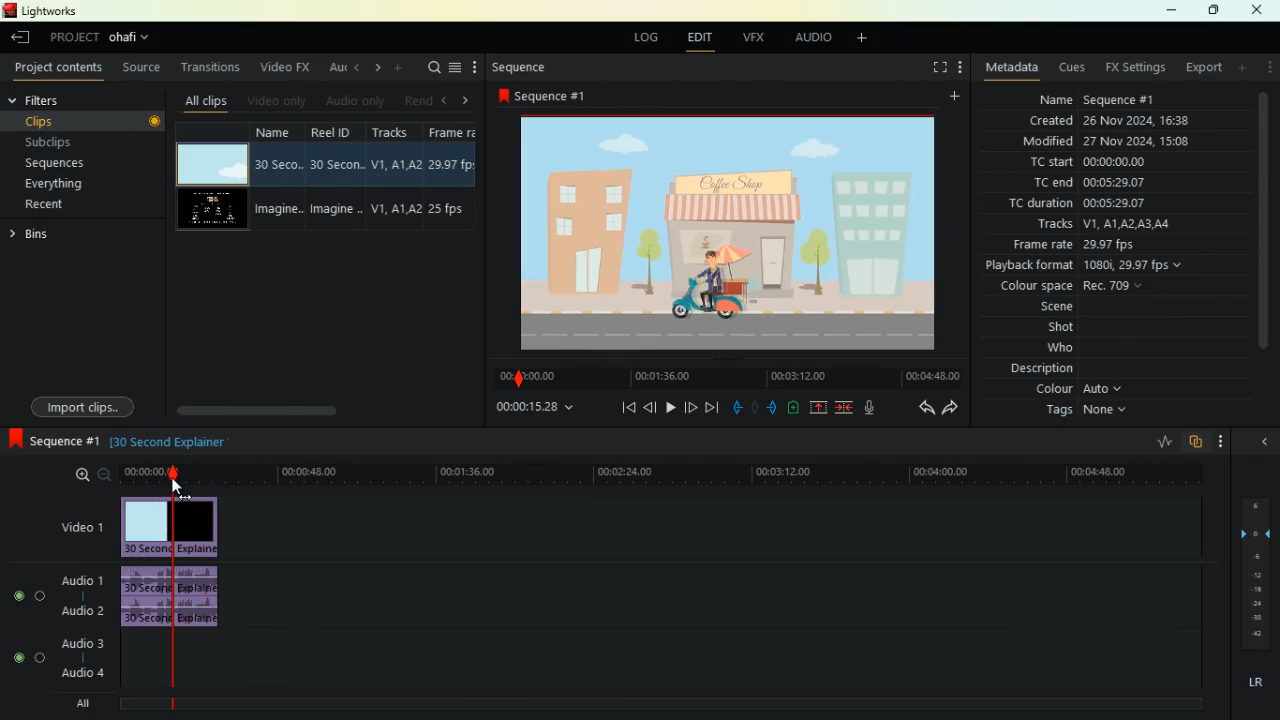 The height and width of the screenshot is (720, 1280). Describe the element at coordinates (1134, 265) in the screenshot. I see `1080i, 29.97 fps v` at that location.